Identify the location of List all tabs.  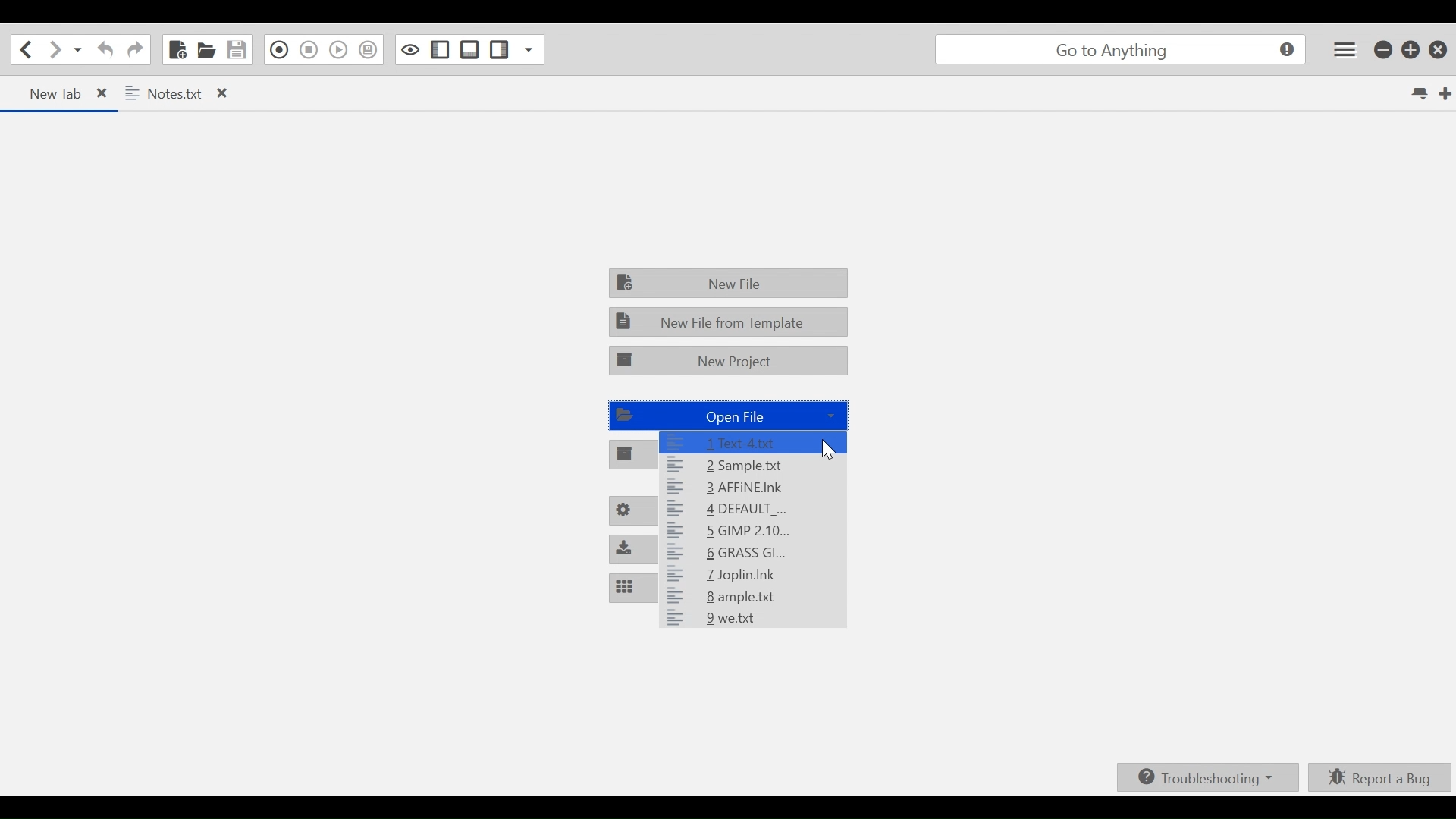
(1418, 93).